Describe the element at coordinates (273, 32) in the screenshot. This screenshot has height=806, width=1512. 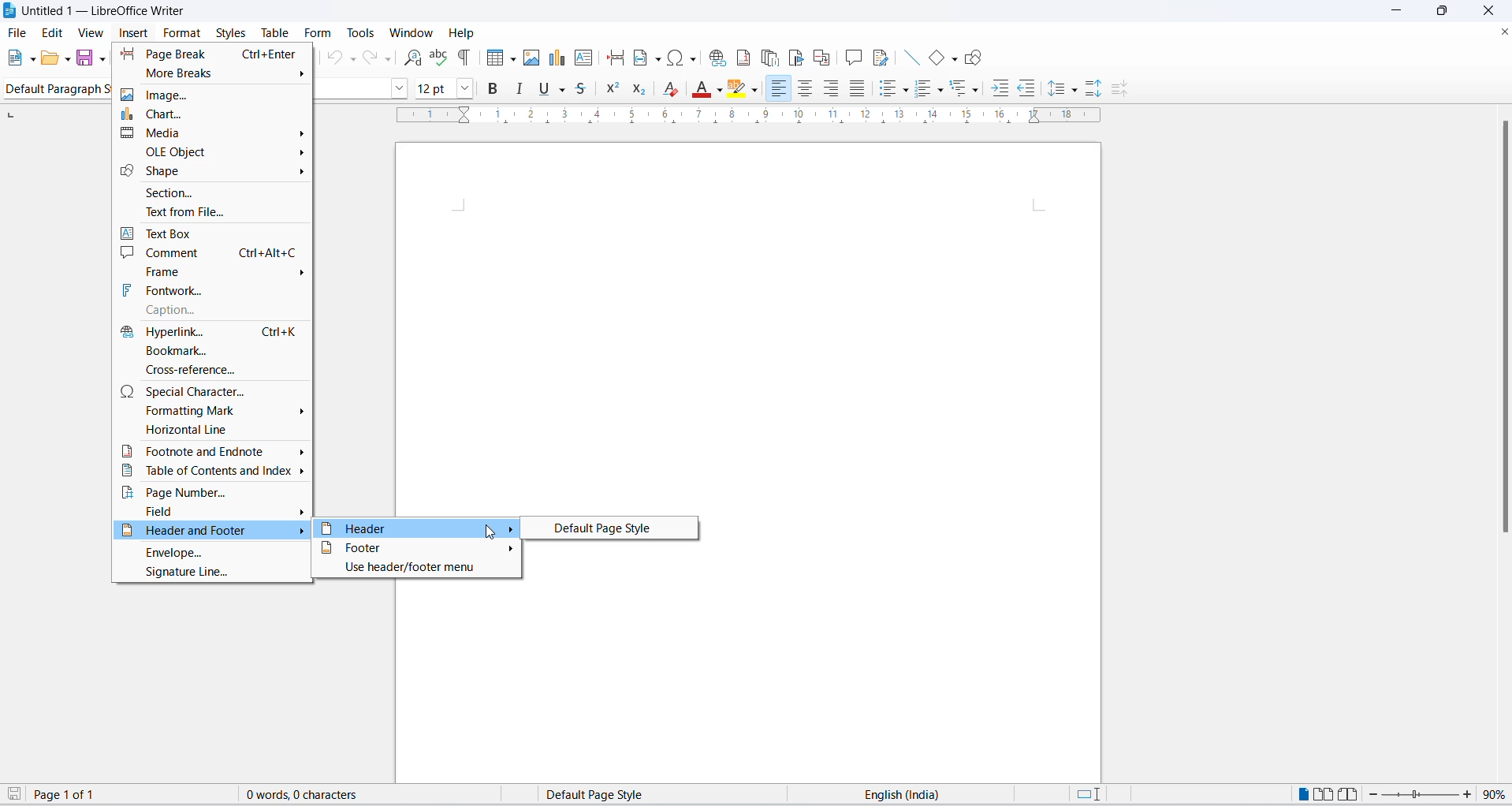
I see `table` at that location.